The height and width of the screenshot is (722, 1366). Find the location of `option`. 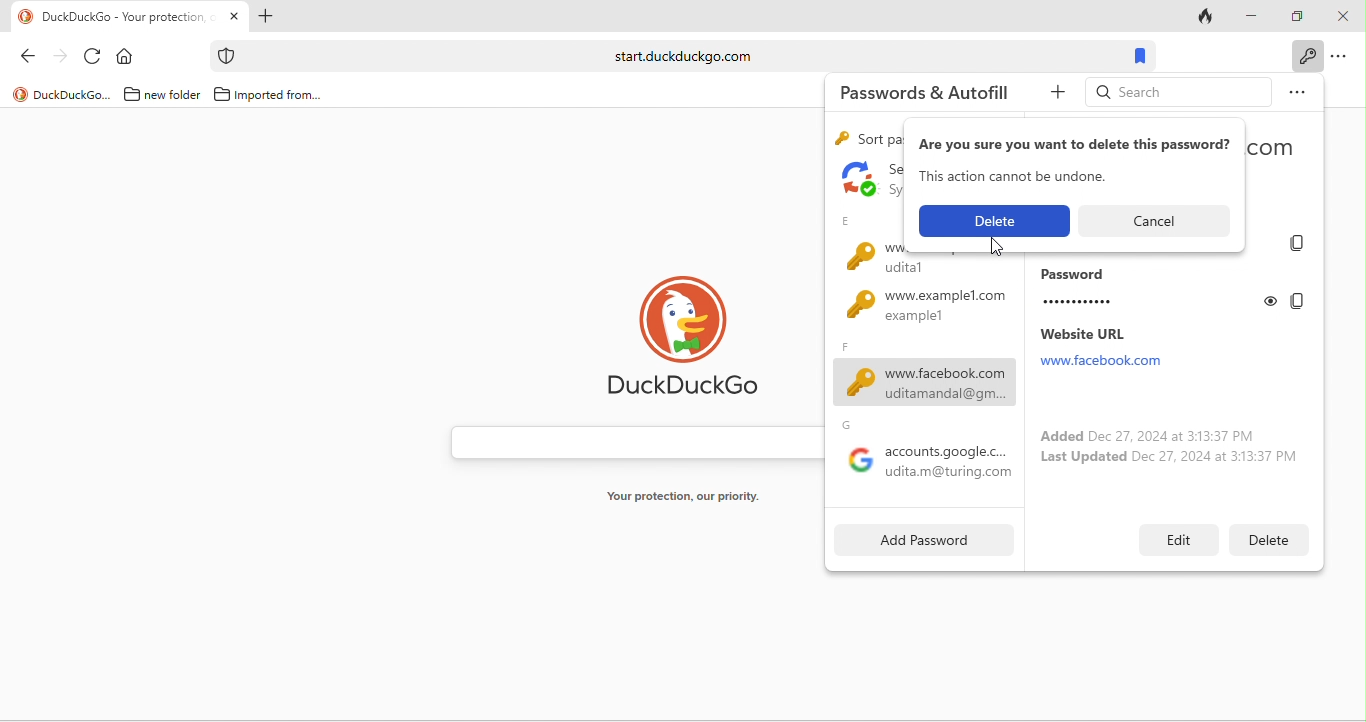

option is located at coordinates (1343, 58).